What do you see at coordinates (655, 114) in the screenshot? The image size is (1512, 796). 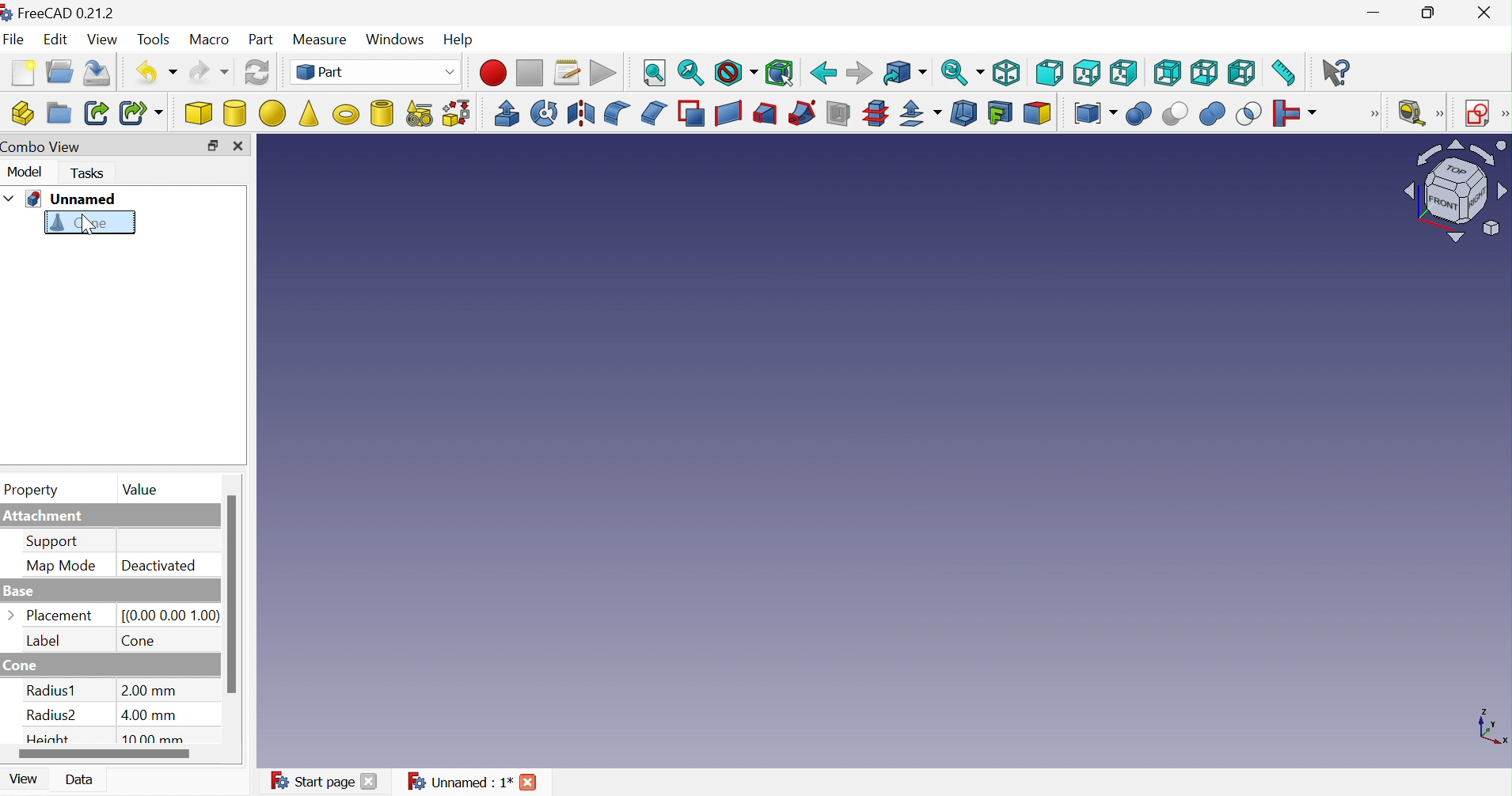 I see `Chamfer` at bounding box center [655, 114].